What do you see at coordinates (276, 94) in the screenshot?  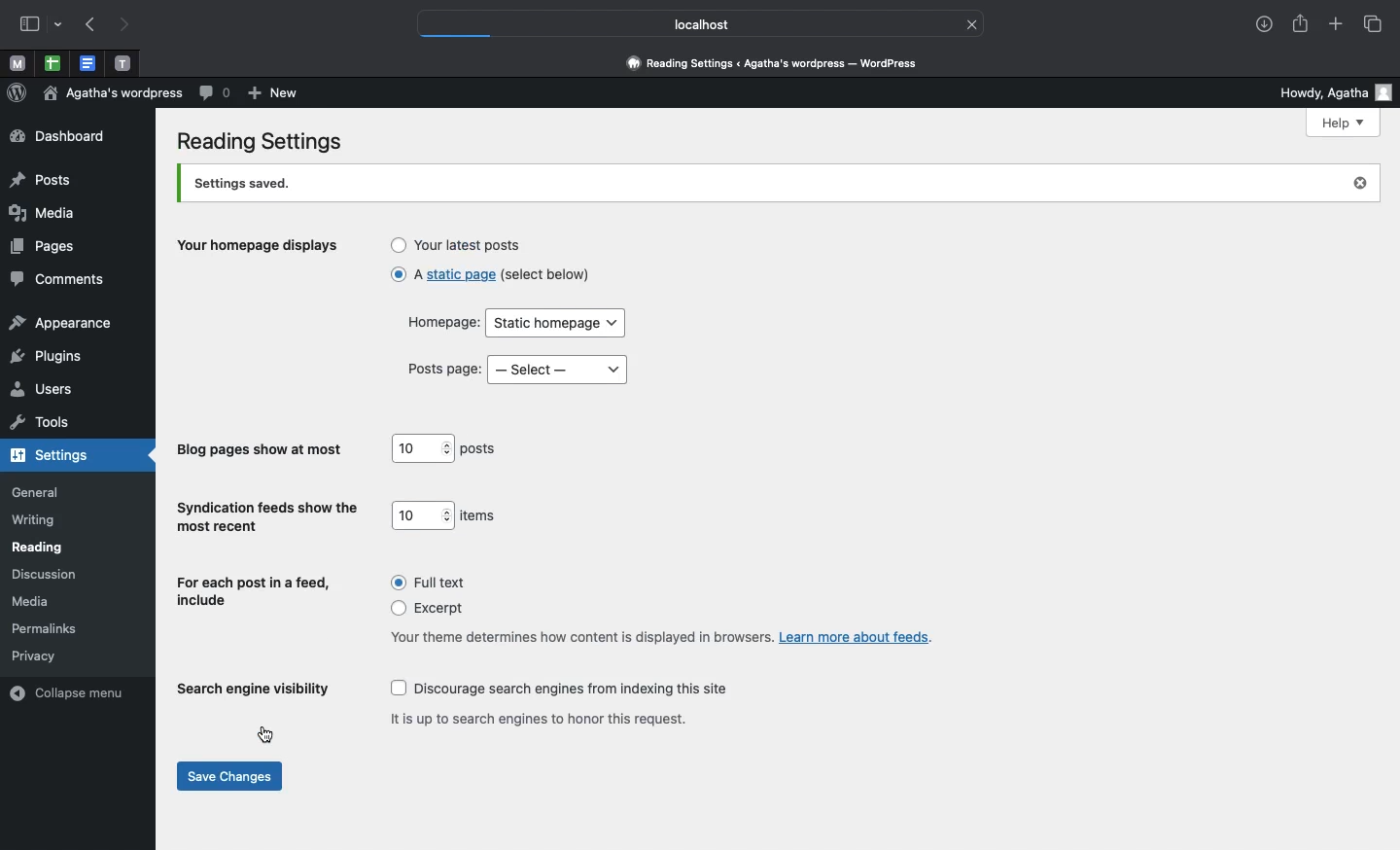 I see `New` at bounding box center [276, 94].